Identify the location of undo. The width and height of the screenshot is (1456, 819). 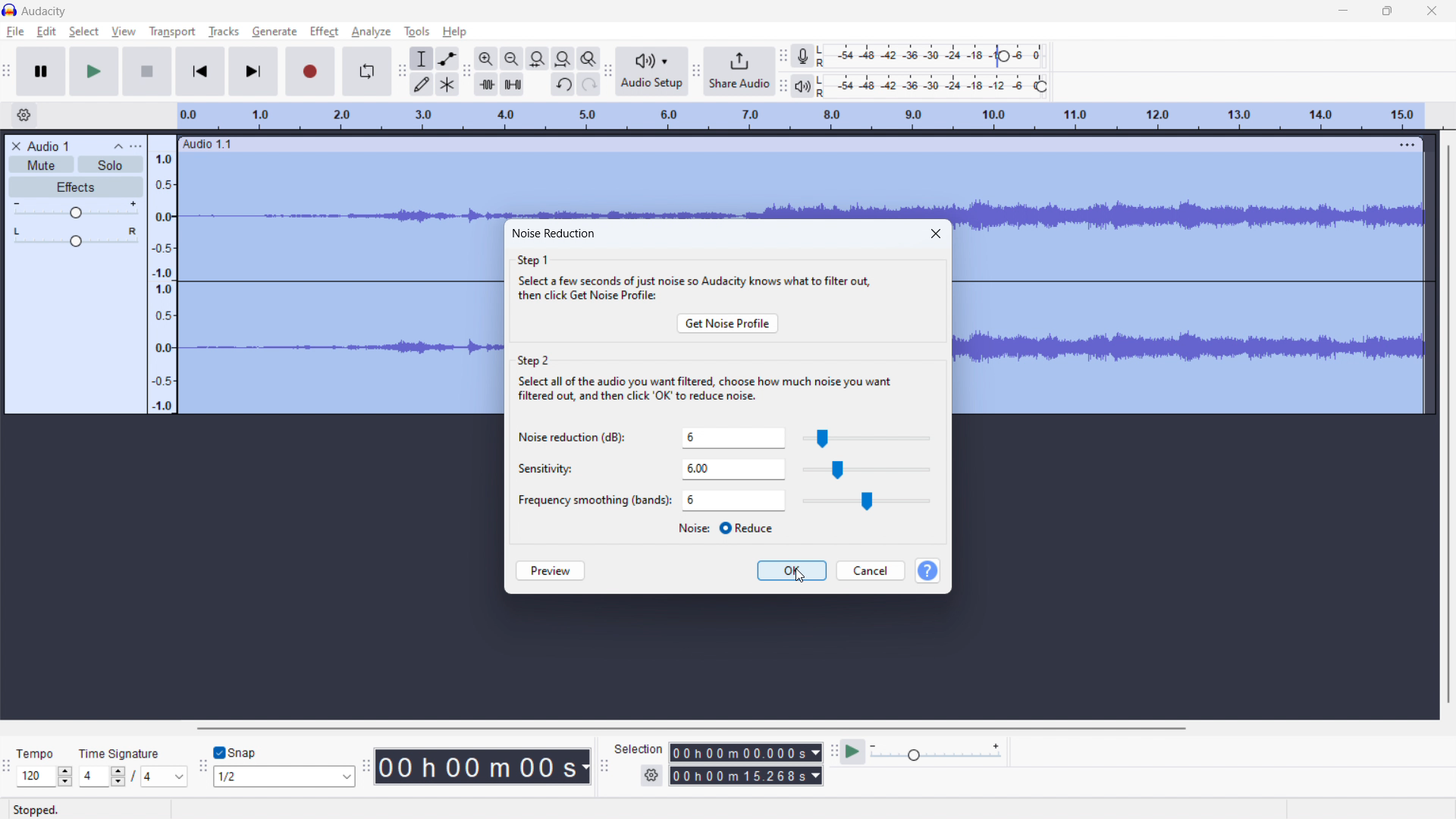
(563, 84).